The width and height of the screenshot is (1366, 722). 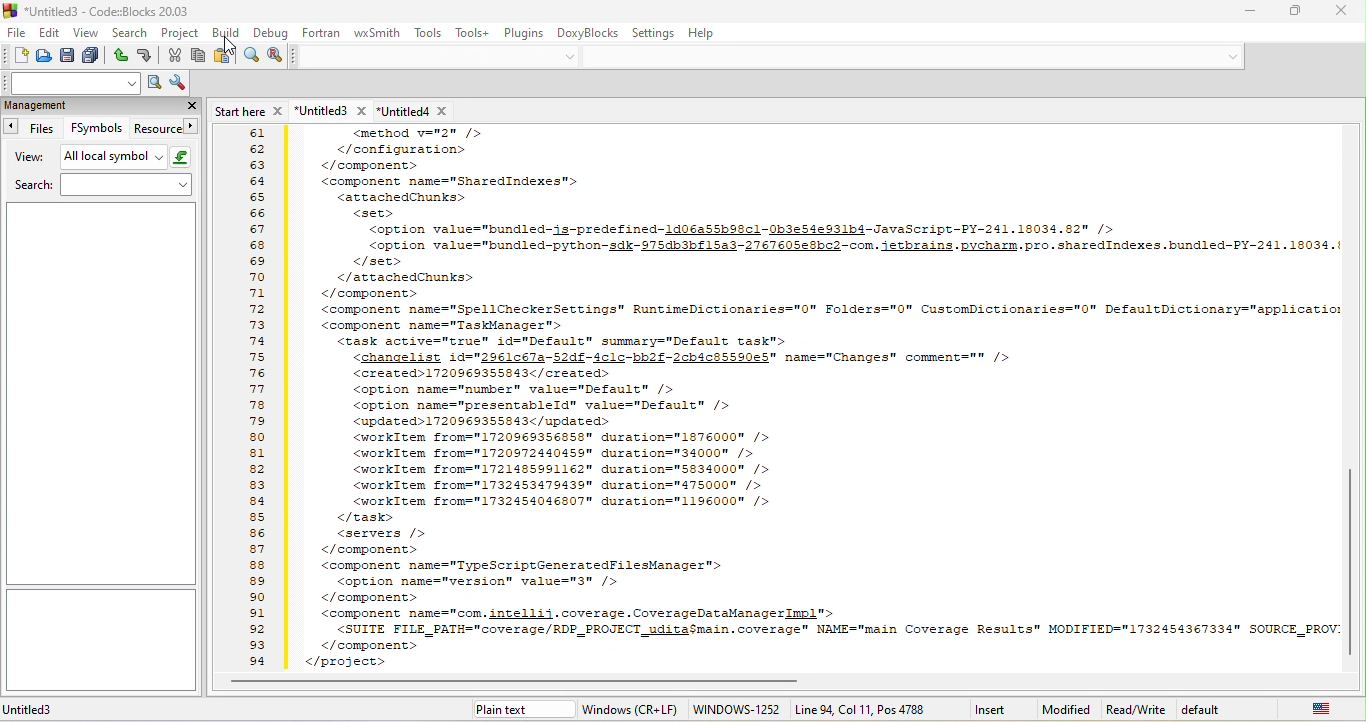 I want to click on edit, so click(x=49, y=32).